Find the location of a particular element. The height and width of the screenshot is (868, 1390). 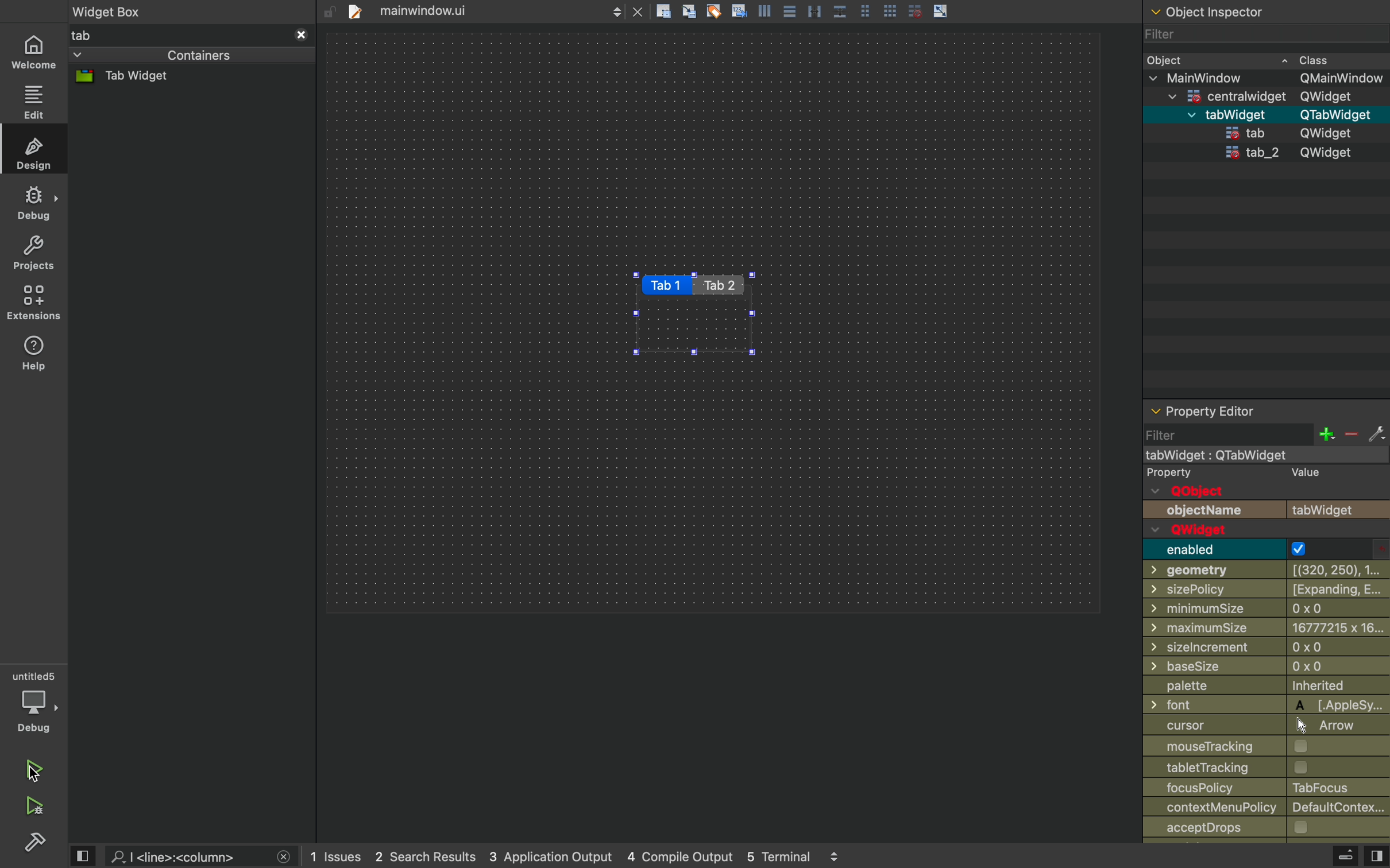

focuspolicy is located at coordinates (1268, 789).